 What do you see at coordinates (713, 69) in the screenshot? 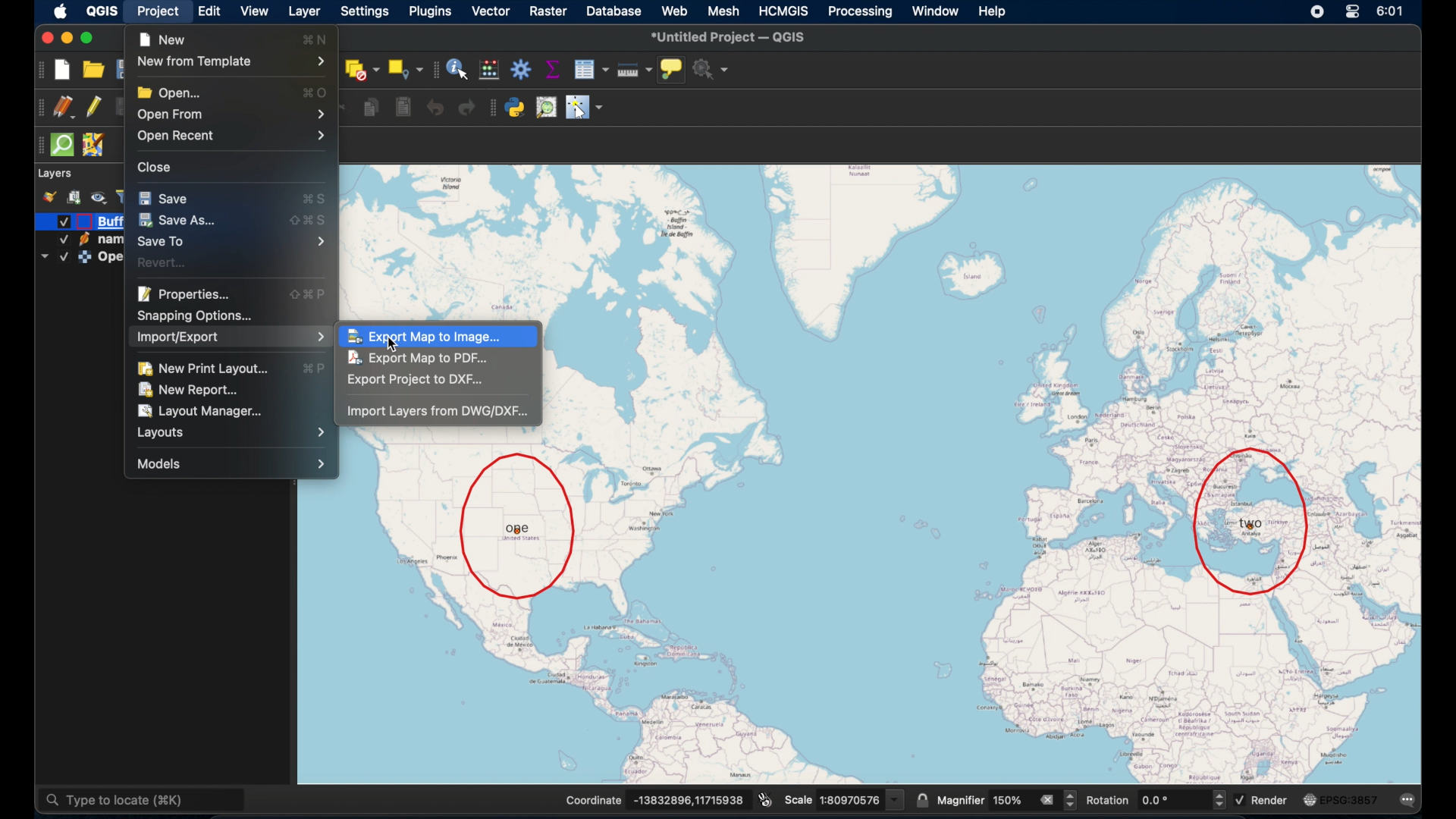
I see `no action selected` at bounding box center [713, 69].